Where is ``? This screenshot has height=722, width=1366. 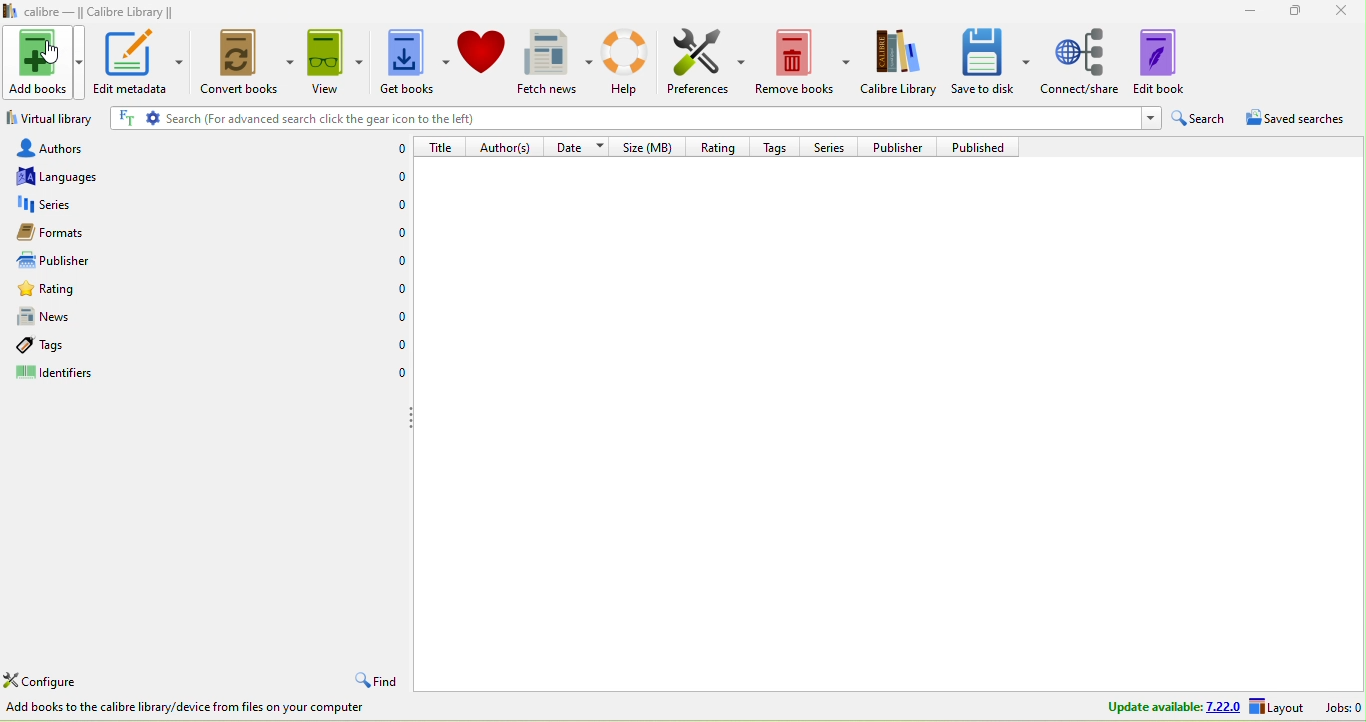
 is located at coordinates (397, 344).